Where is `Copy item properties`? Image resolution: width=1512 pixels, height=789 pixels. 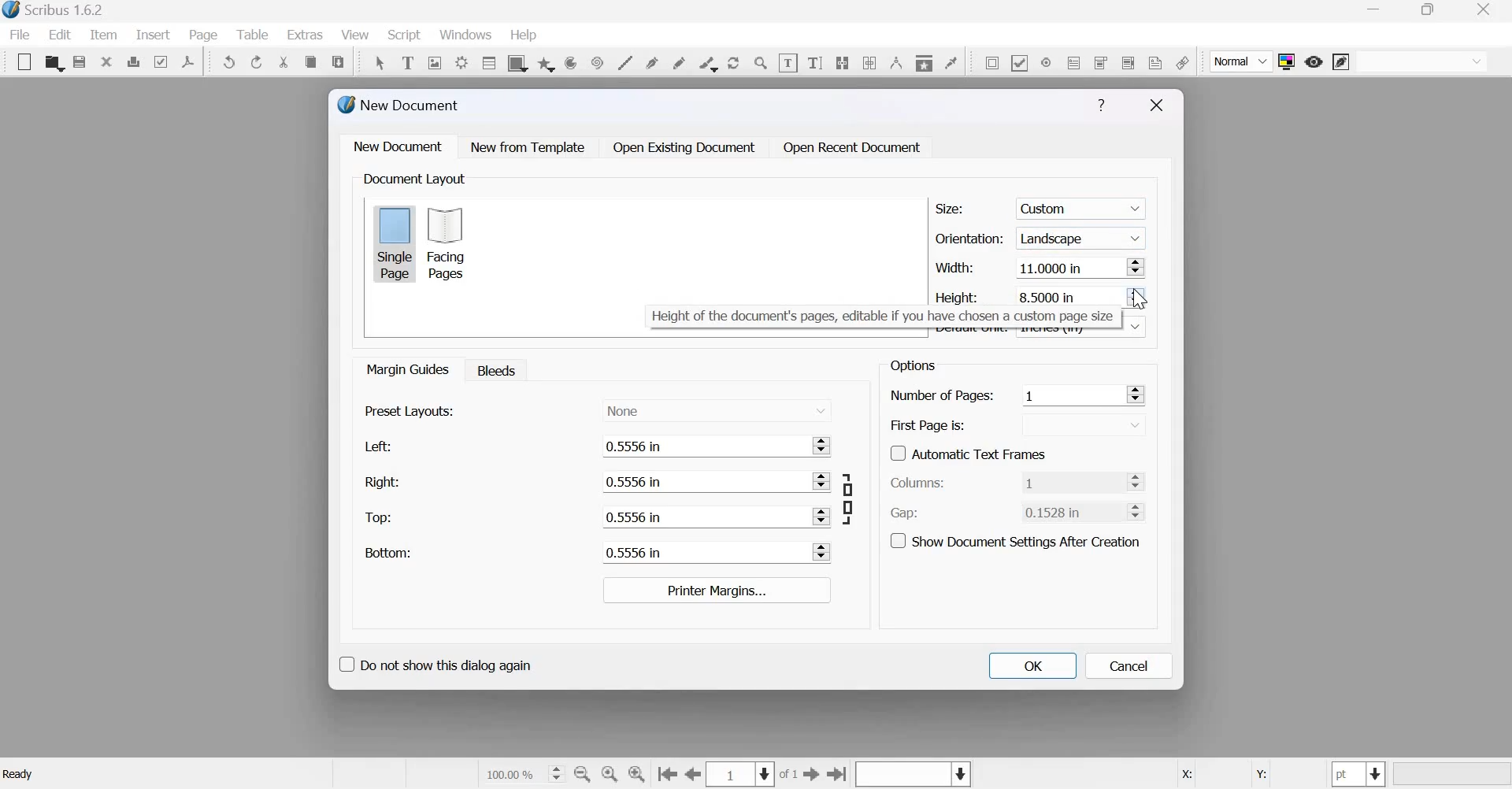 Copy item properties is located at coordinates (923, 61).